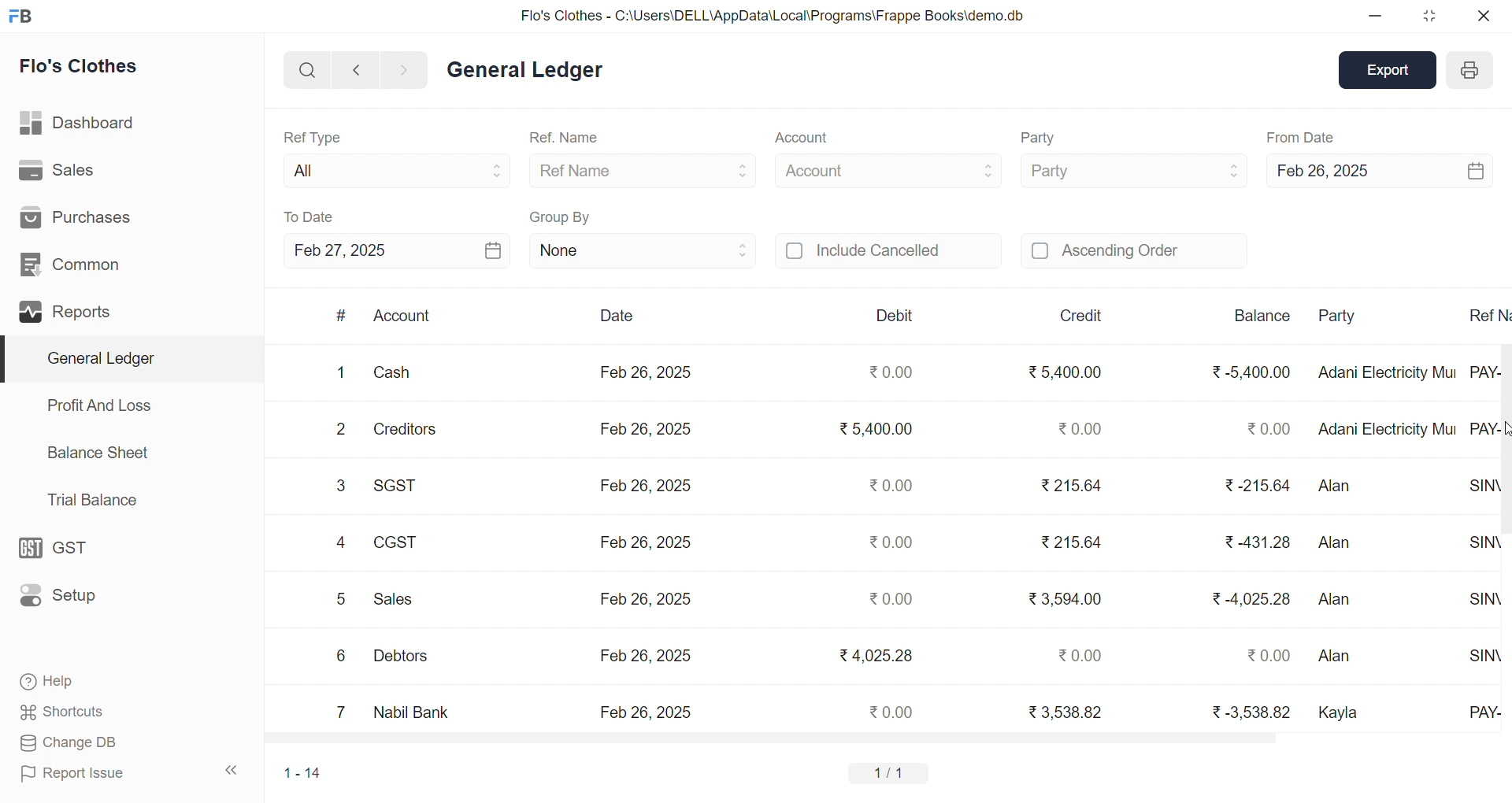 Image resolution: width=1512 pixels, height=803 pixels. I want to click on ₹-215.64, so click(1251, 483).